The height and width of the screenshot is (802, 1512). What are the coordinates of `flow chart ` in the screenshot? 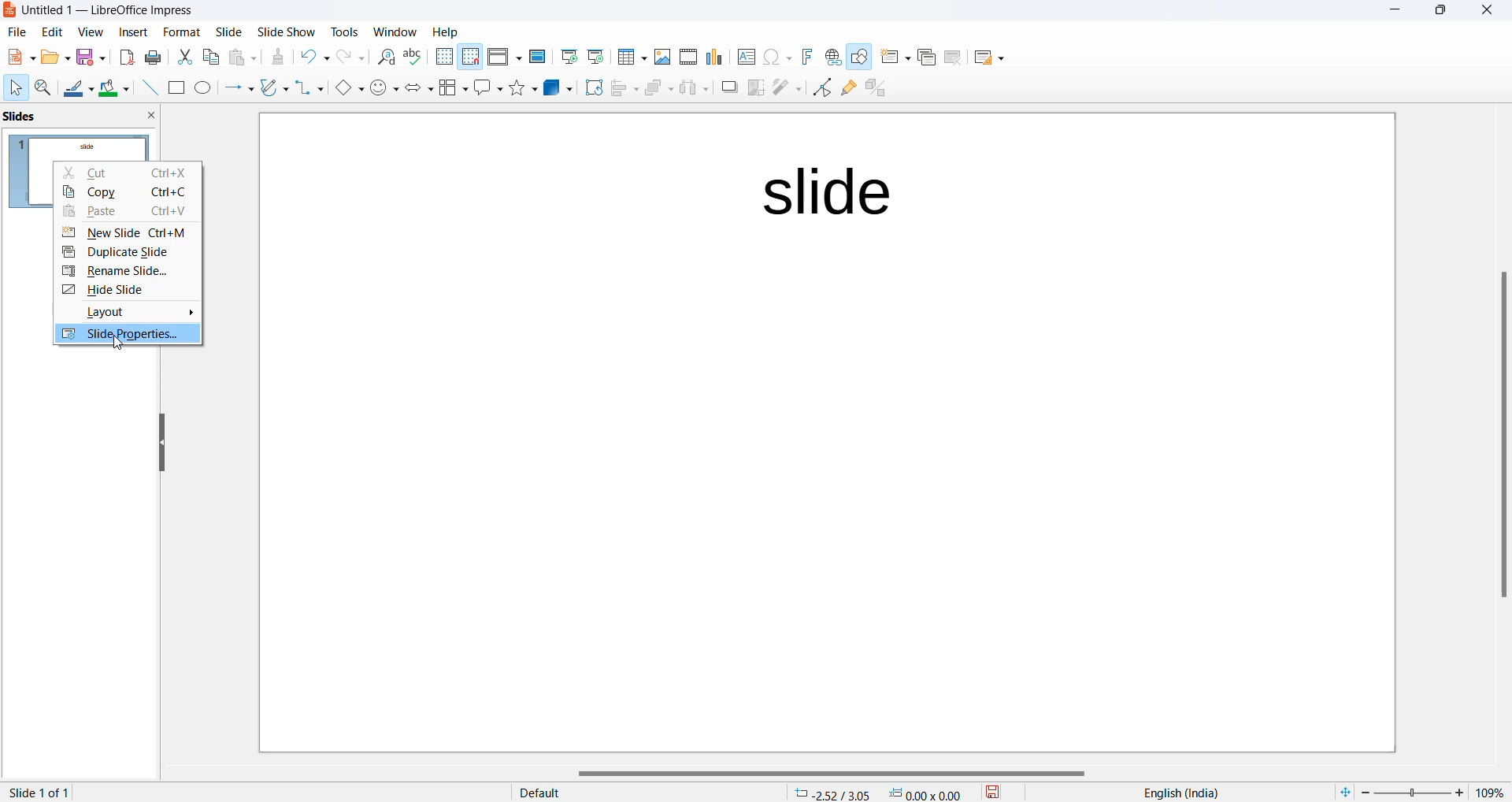 It's located at (454, 87).